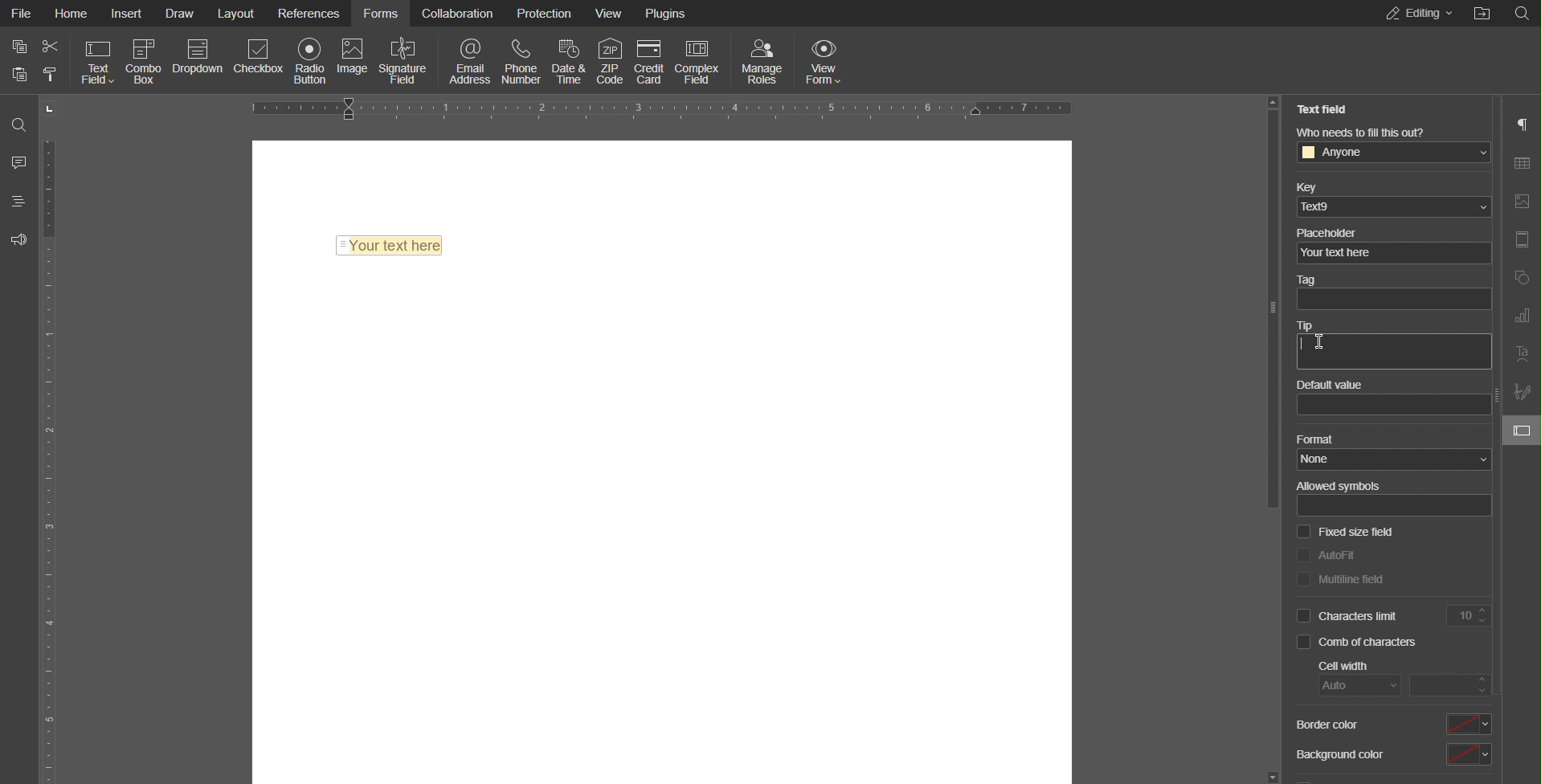 This screenshot has width=1541, height=784. Describe the element at coordinates (1340, 761) in the screenshot. I see `Background Color` at that location.